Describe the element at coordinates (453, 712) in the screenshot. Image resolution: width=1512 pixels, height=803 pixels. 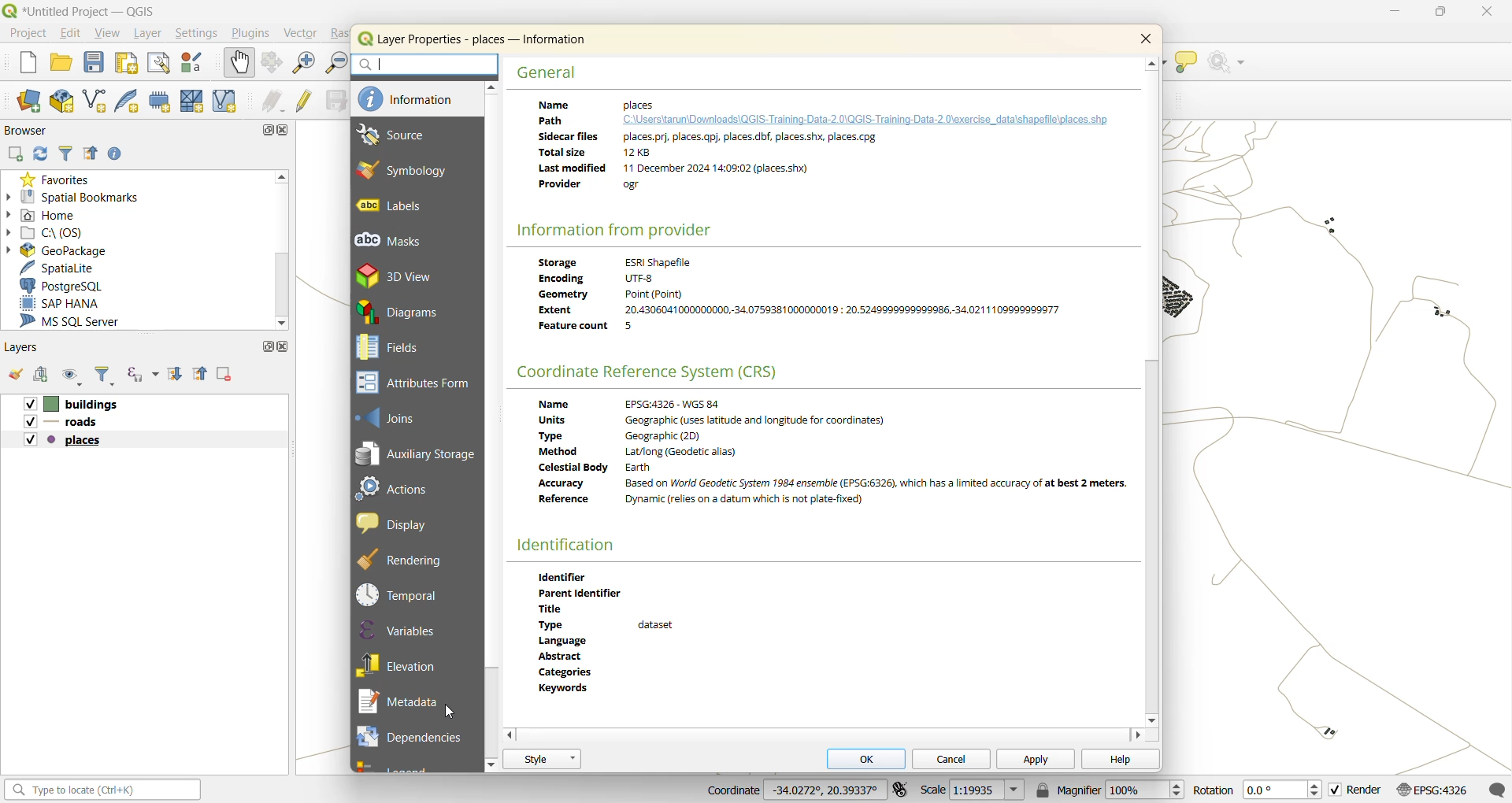
I see `cursor` at that location.